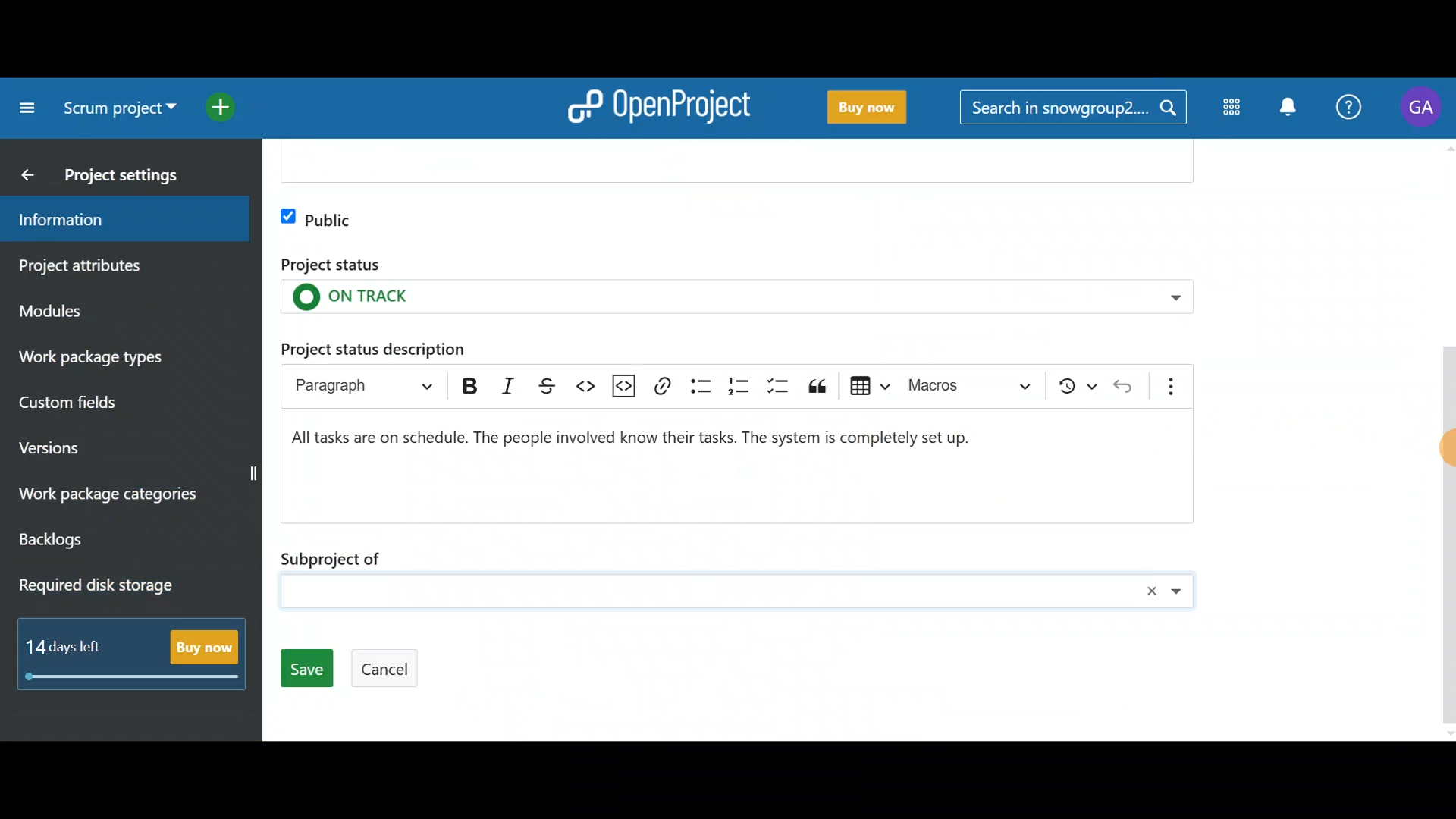 The height and width of the screenshot is (819, 1456). I want to click on Italic, so click(504, 385).